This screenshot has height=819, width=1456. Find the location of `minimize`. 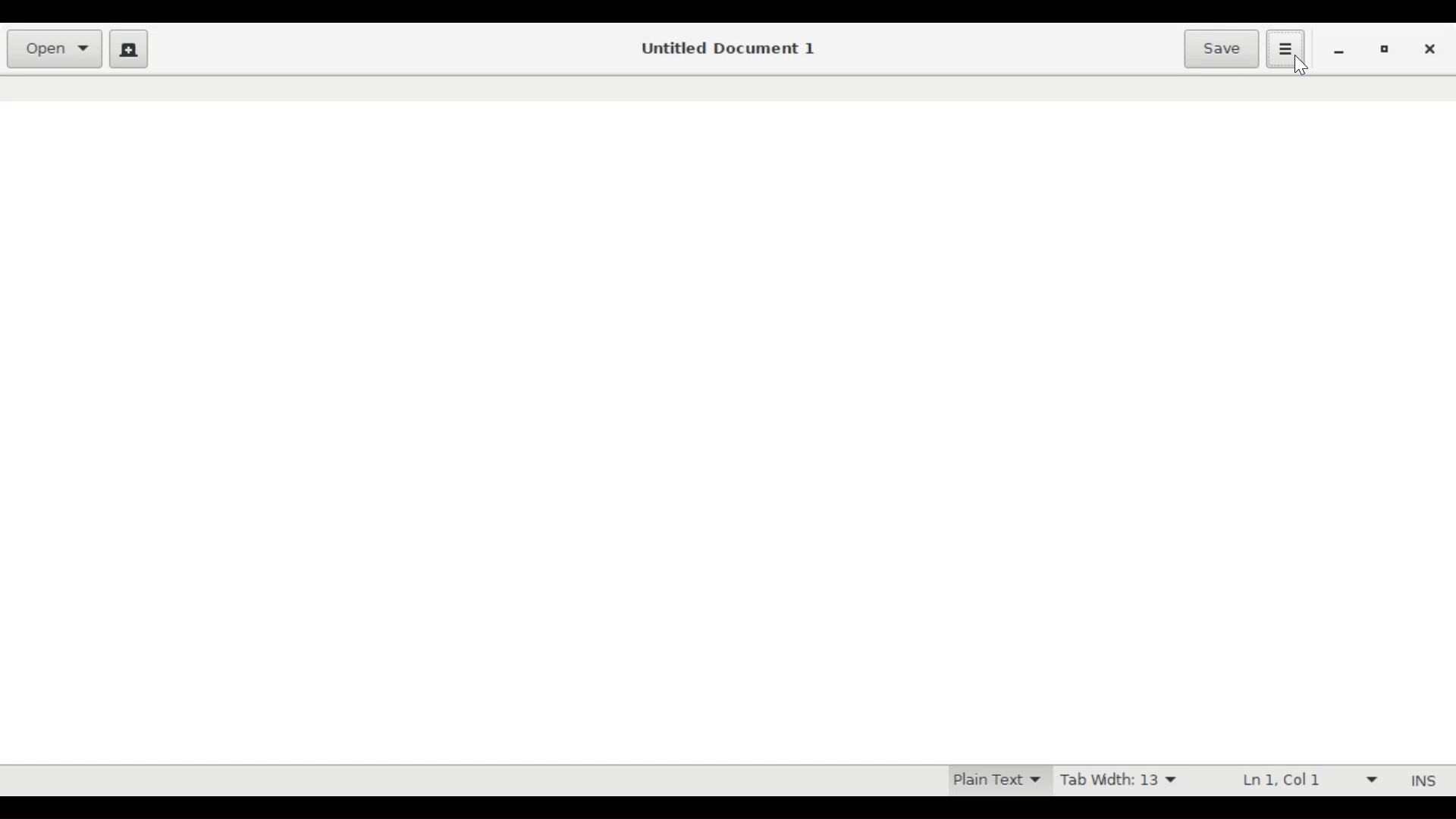

minimize is located at coordinates (1341, 51).